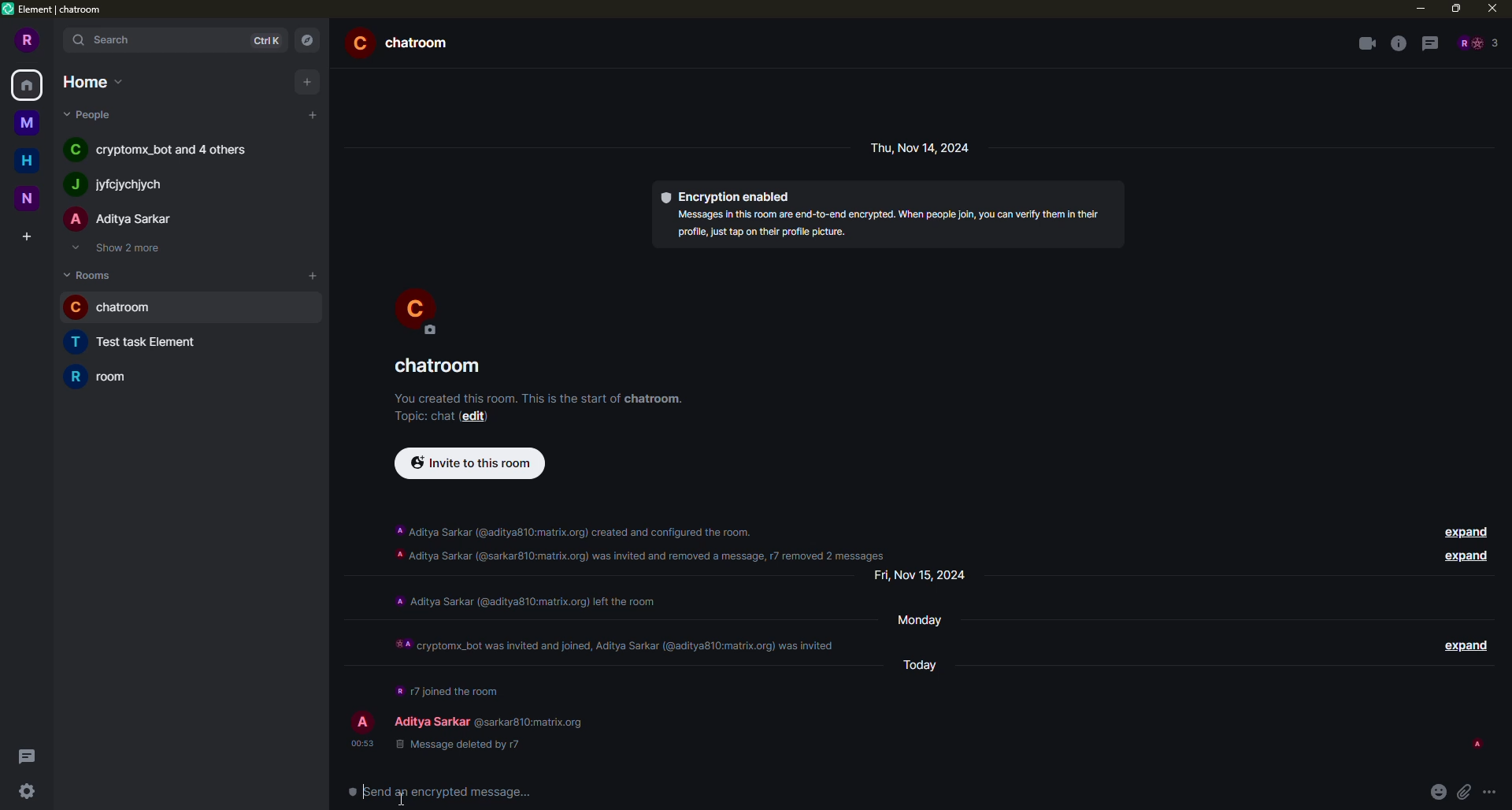  I want to click on room, so click(405, 42).